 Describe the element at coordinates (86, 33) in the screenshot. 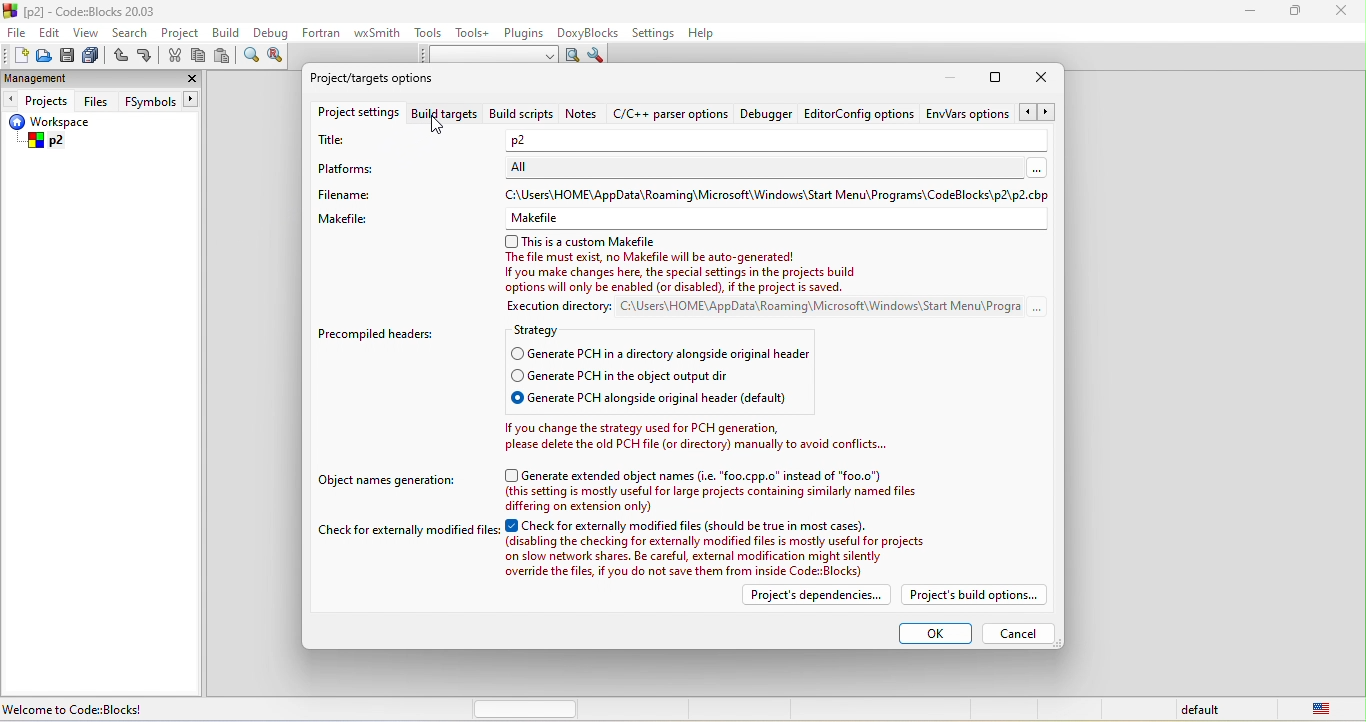

I see `view` at that location.